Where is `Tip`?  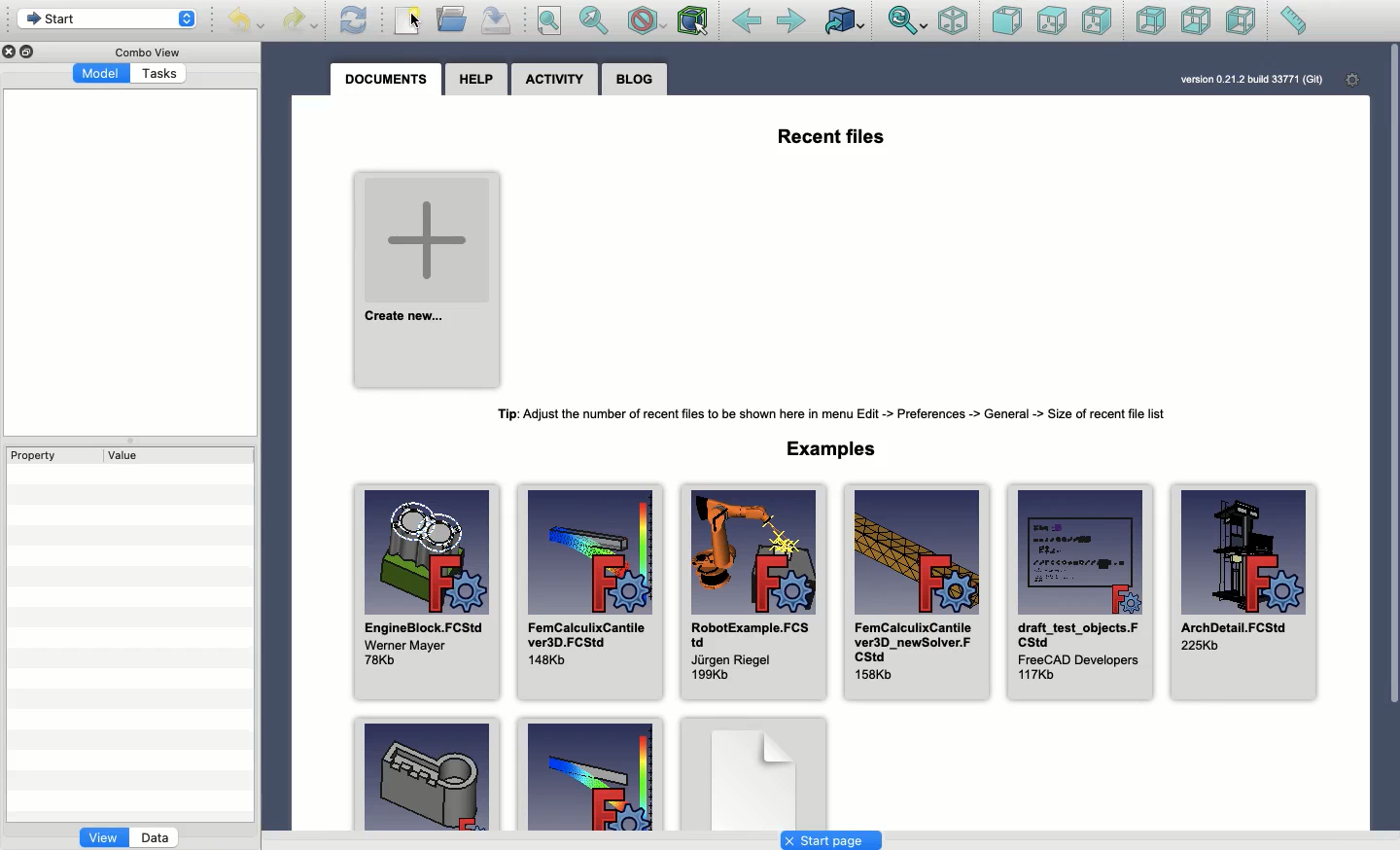 Tip is located at coordinates (833, 410).